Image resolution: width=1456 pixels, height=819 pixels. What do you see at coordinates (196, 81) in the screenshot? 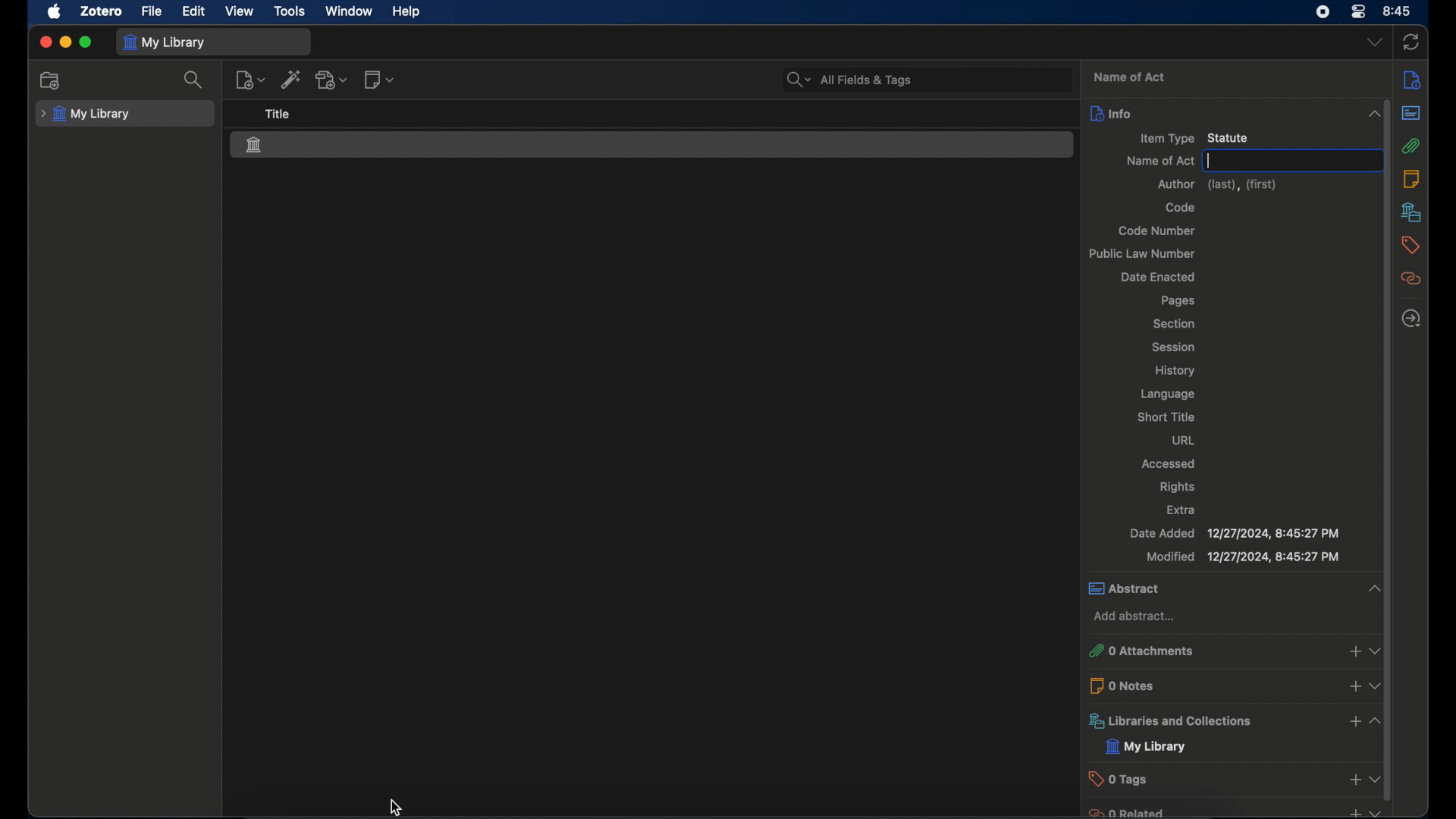
I see `search` at bounding box center [196, 81].